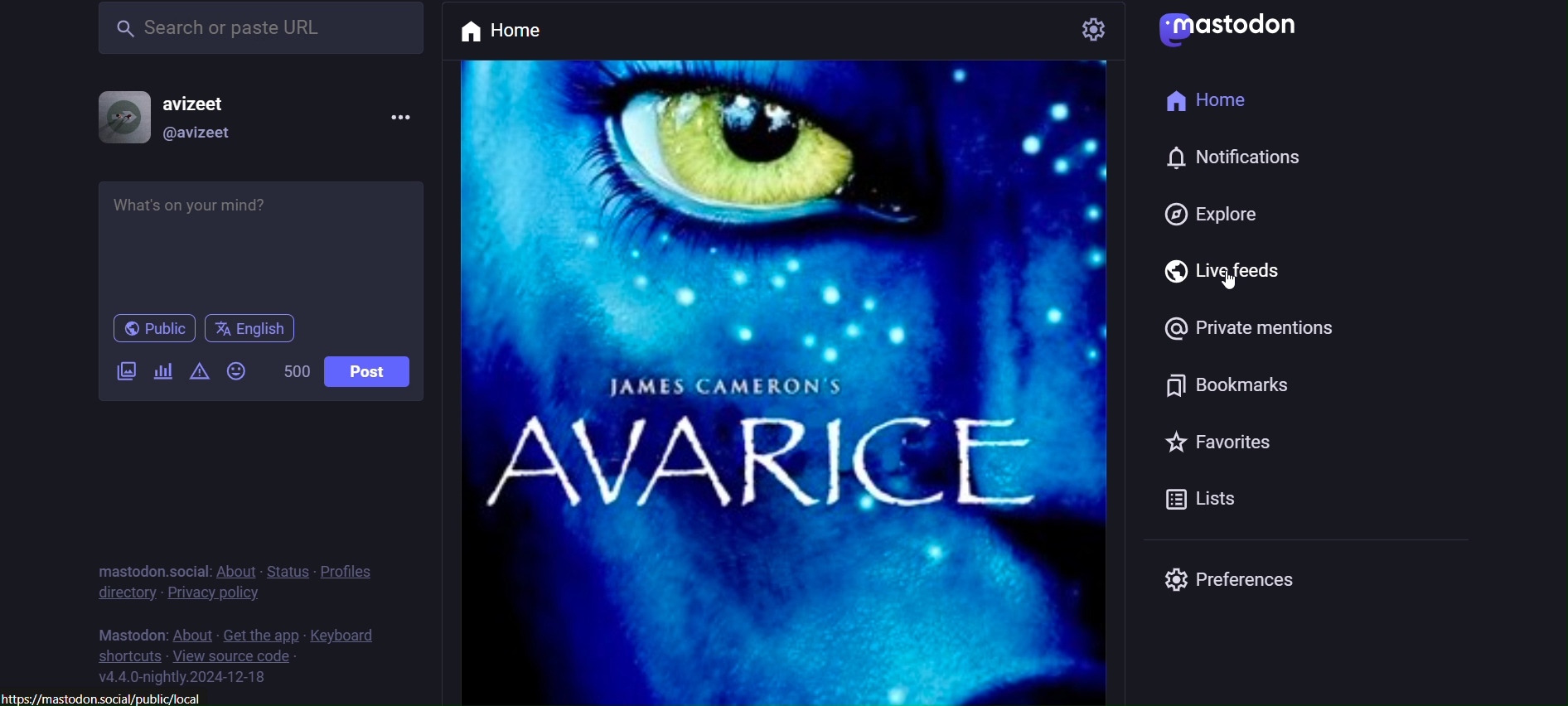 The image size is (1568, 706). I want to click on text, so click(123, 631).